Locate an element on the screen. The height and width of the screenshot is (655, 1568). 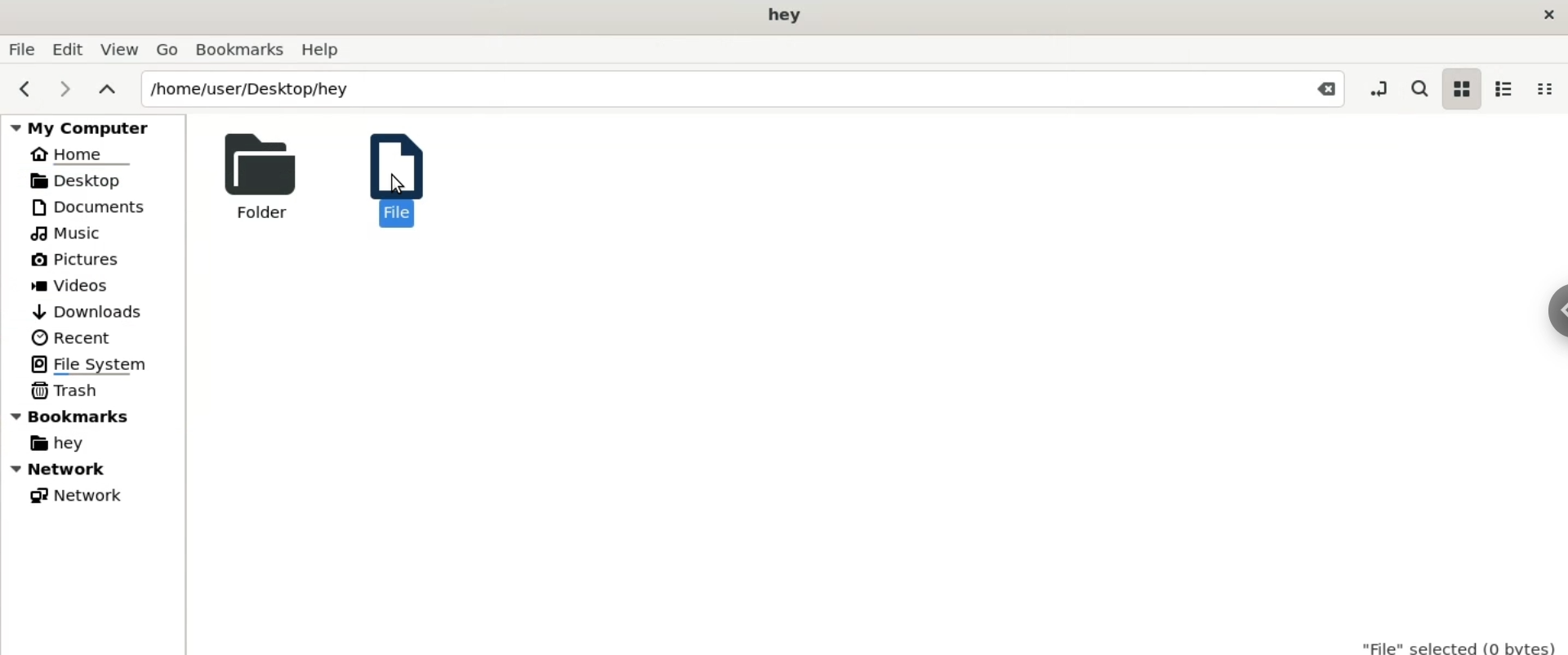
location home/user/desktop/hey is located at coordinates (742, 89).